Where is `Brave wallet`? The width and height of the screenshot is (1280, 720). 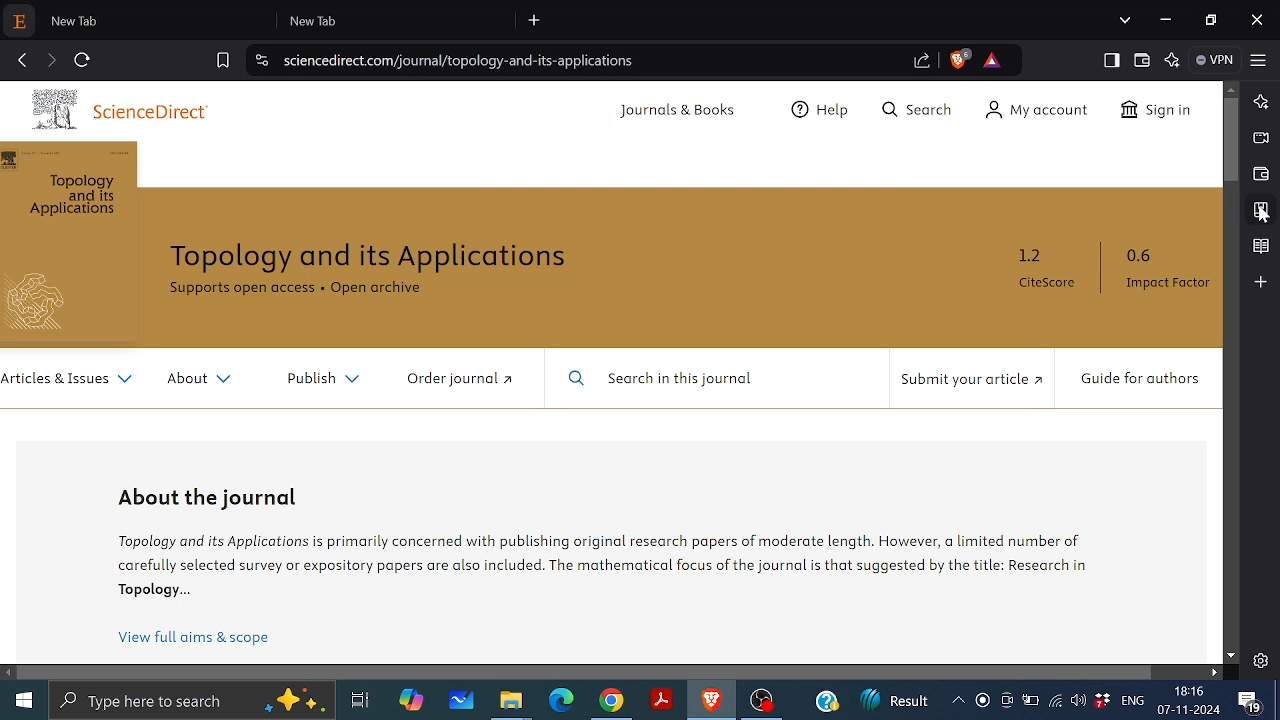 Brave wallet is located at coordinates (1259, 174).